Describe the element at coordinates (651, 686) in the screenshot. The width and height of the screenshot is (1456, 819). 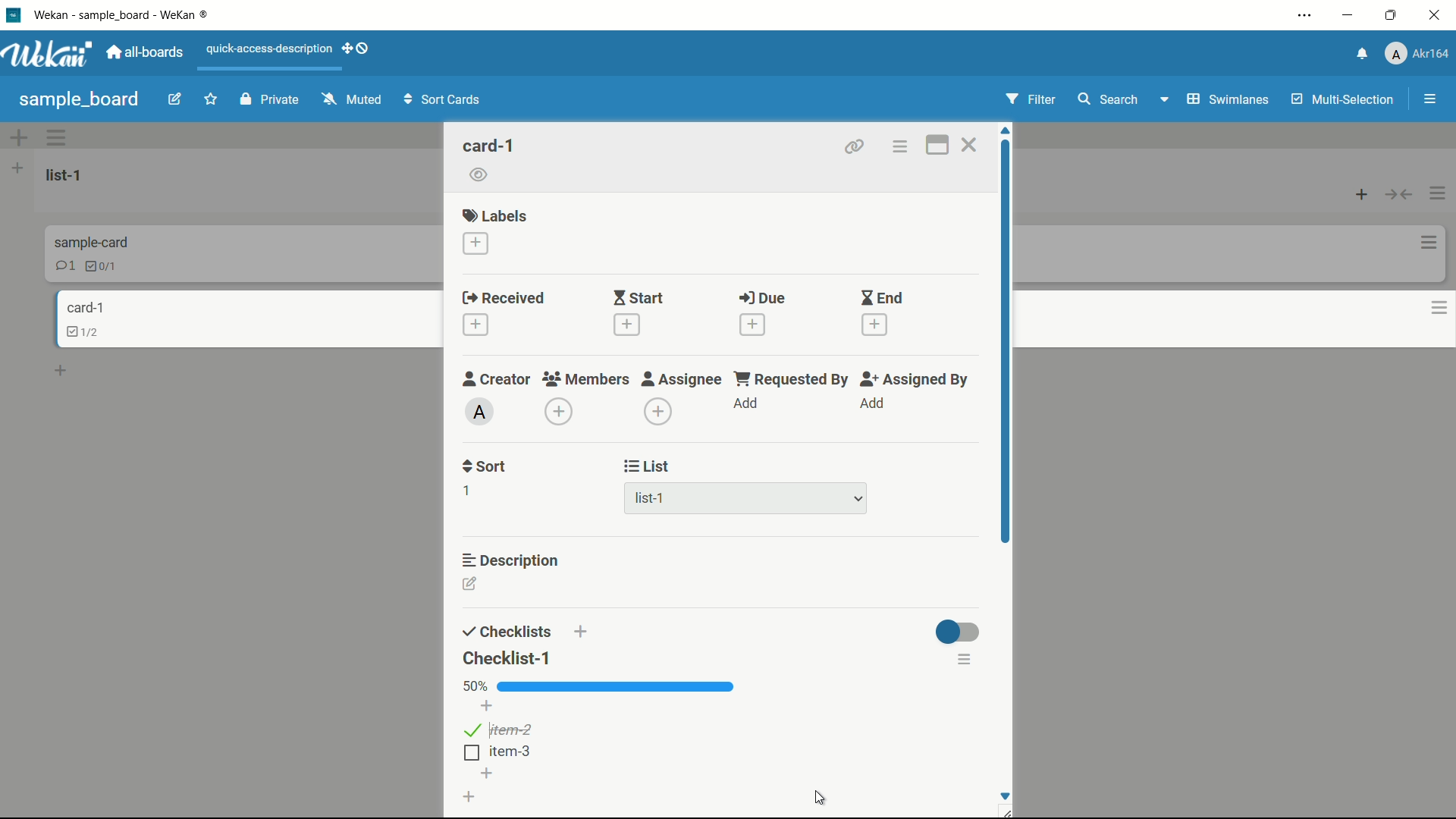
I see `checklist progress bar` at that location.